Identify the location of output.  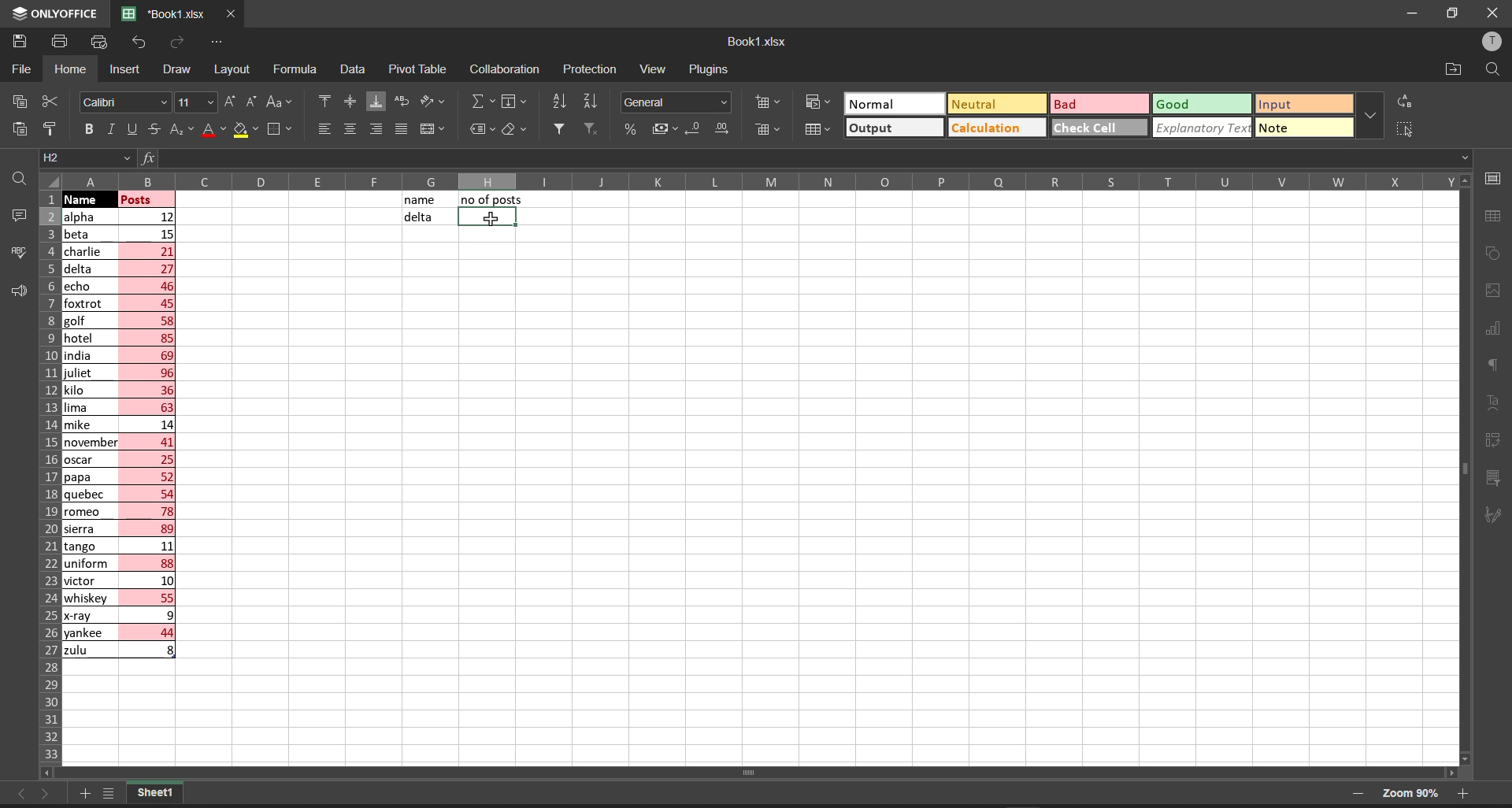
(876, 128).